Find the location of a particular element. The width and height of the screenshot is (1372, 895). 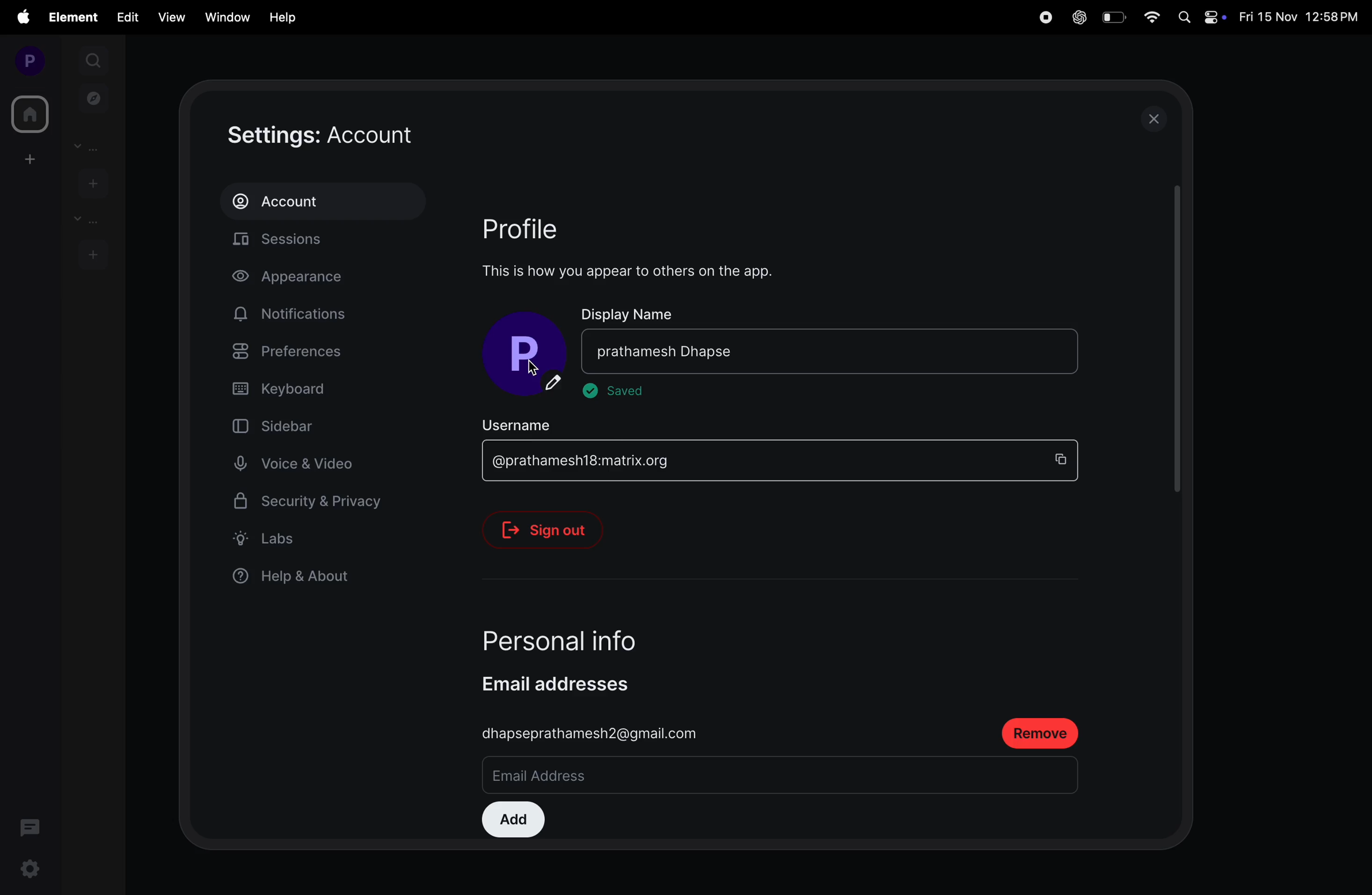

add rooms is located at coordinates (93, 253).